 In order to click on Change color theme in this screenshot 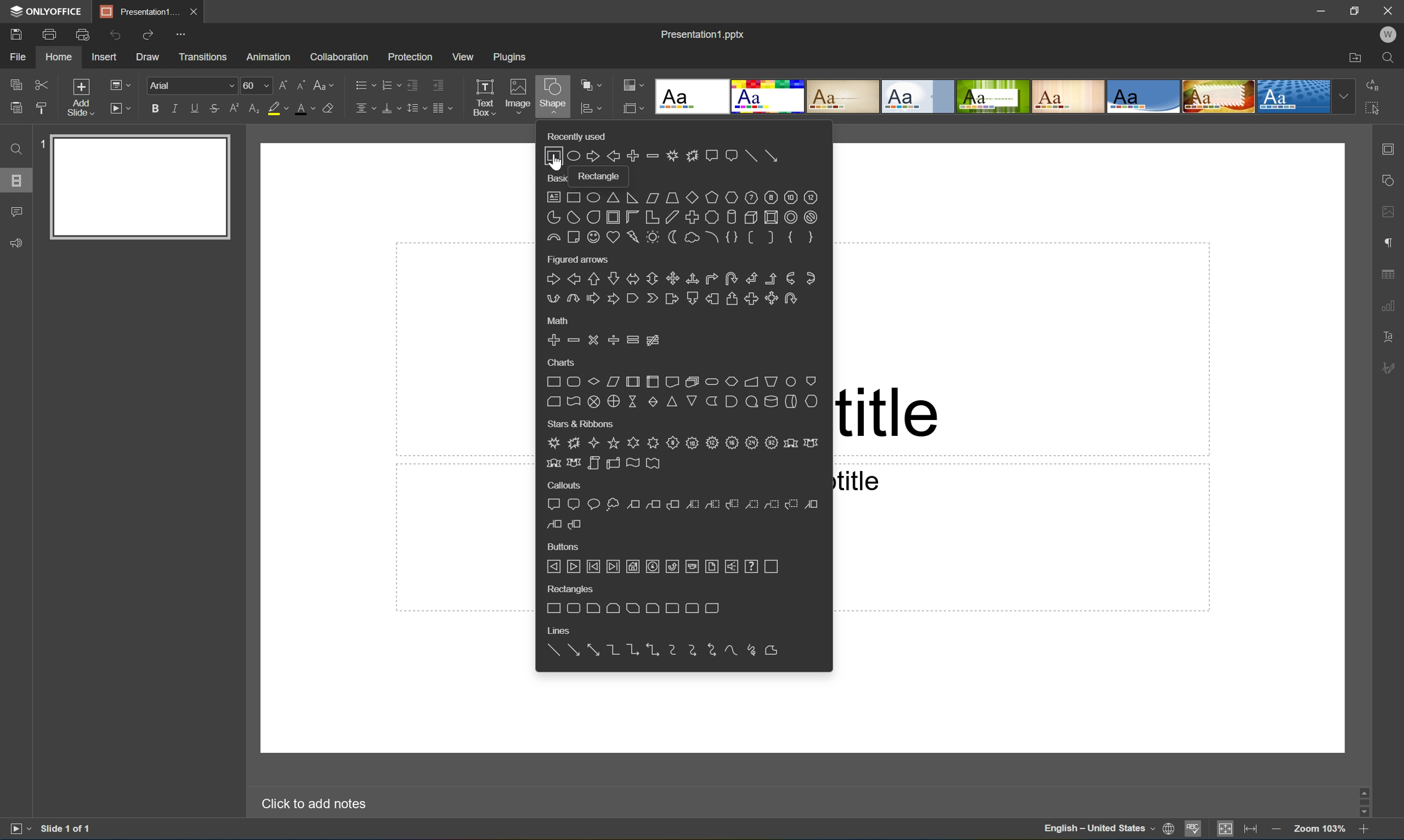, I will do `click(633, 85)`.